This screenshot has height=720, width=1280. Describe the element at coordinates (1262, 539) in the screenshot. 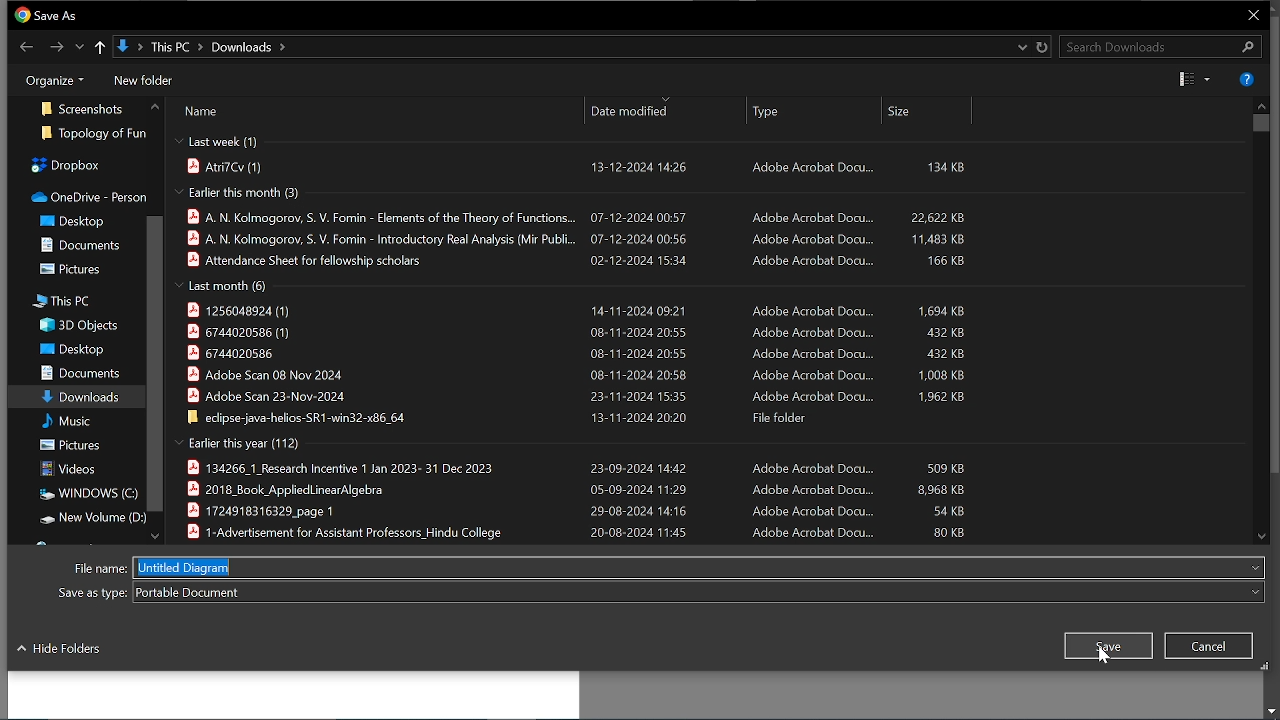

I see `Move down in files` at that location.